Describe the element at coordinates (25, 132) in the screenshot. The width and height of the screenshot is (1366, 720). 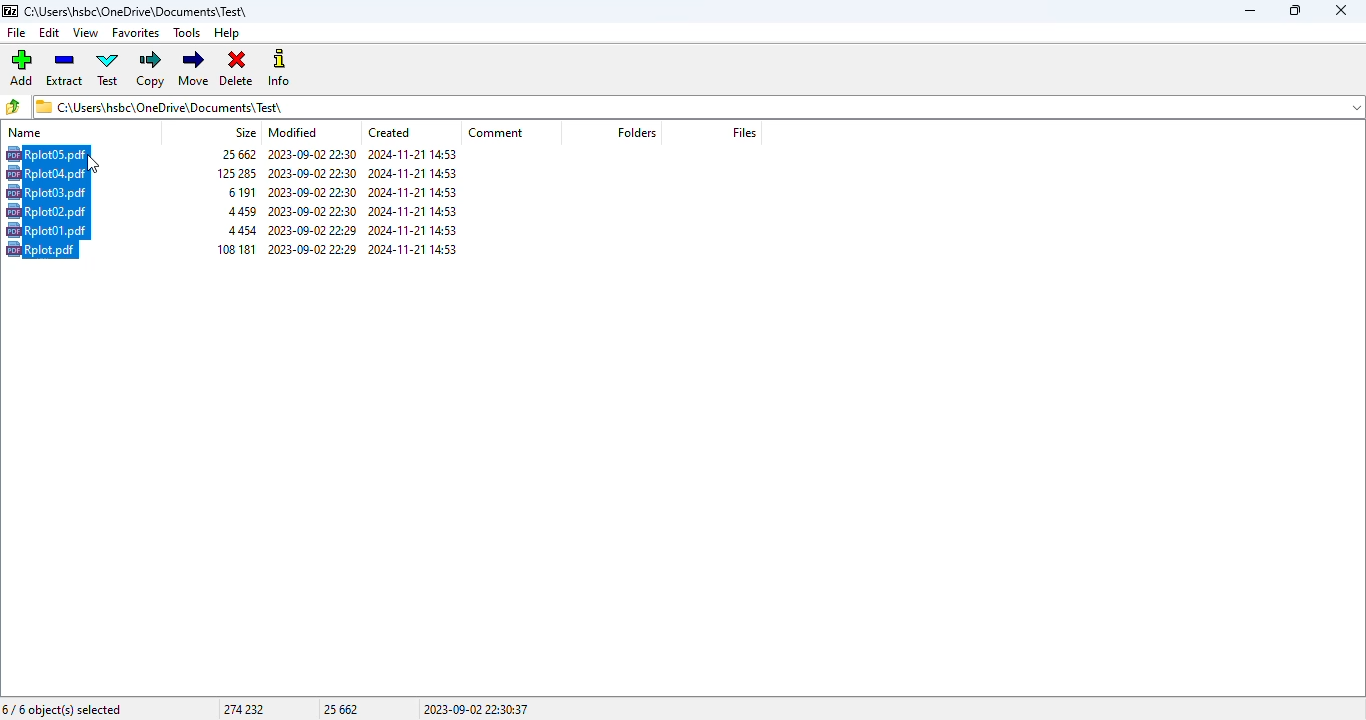
I see `name` at that location.